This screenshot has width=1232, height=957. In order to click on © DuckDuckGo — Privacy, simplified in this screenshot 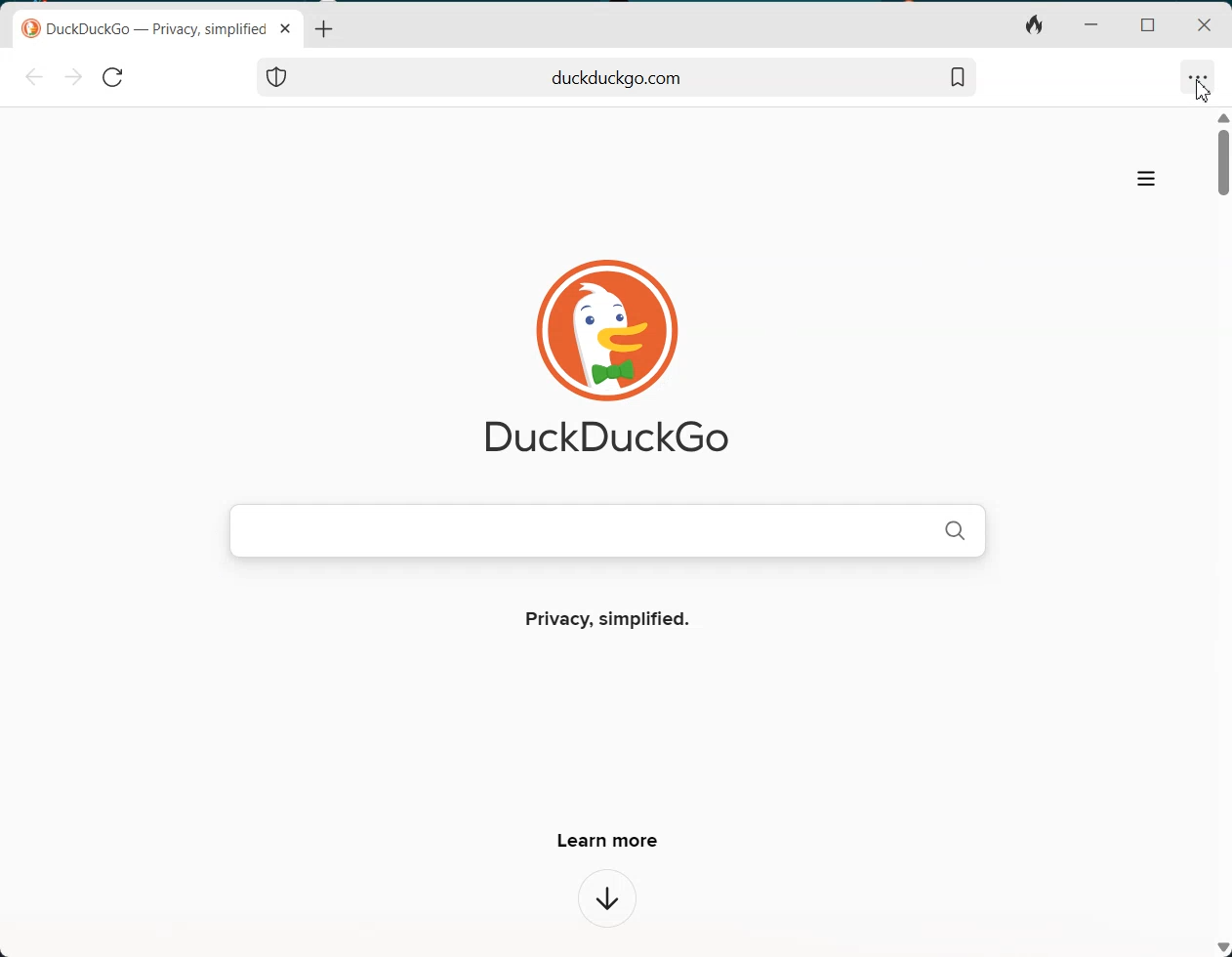, I will do `click(145, 29)`.